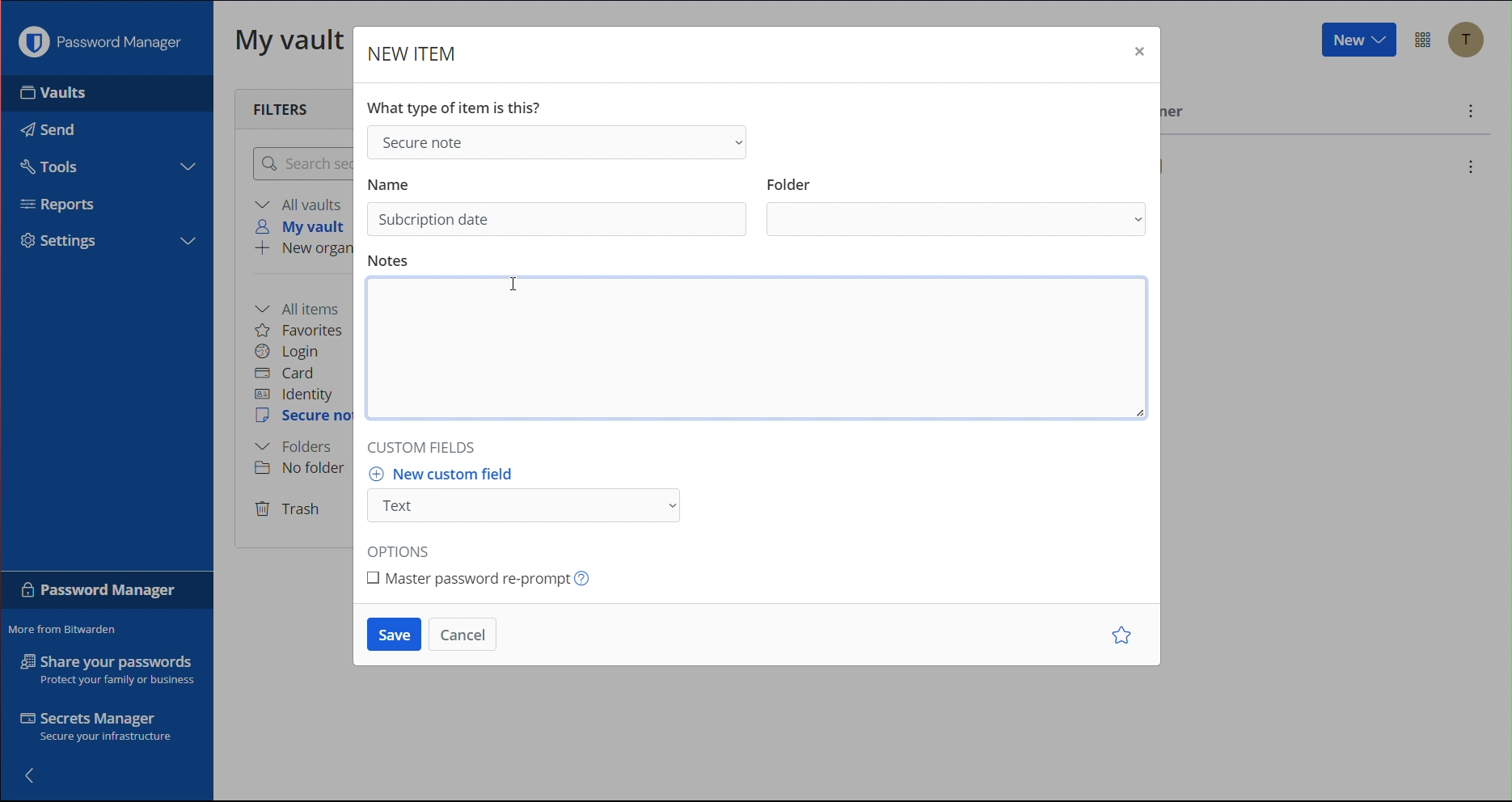 This screenshot has width=1512, height=802. I want to click on Folders, so click(294, 447).